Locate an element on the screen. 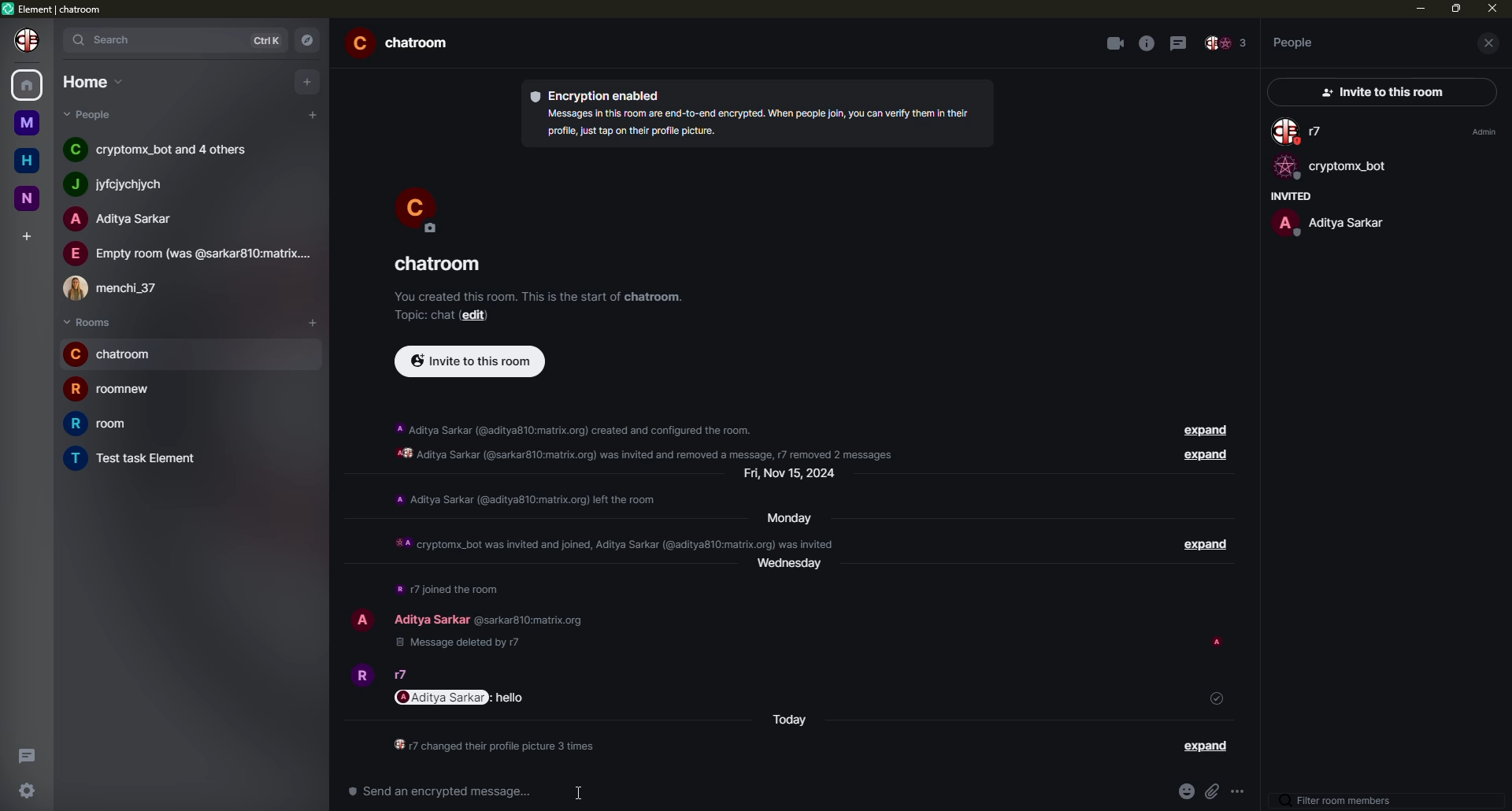  edit is located at coordinates (473, 316).